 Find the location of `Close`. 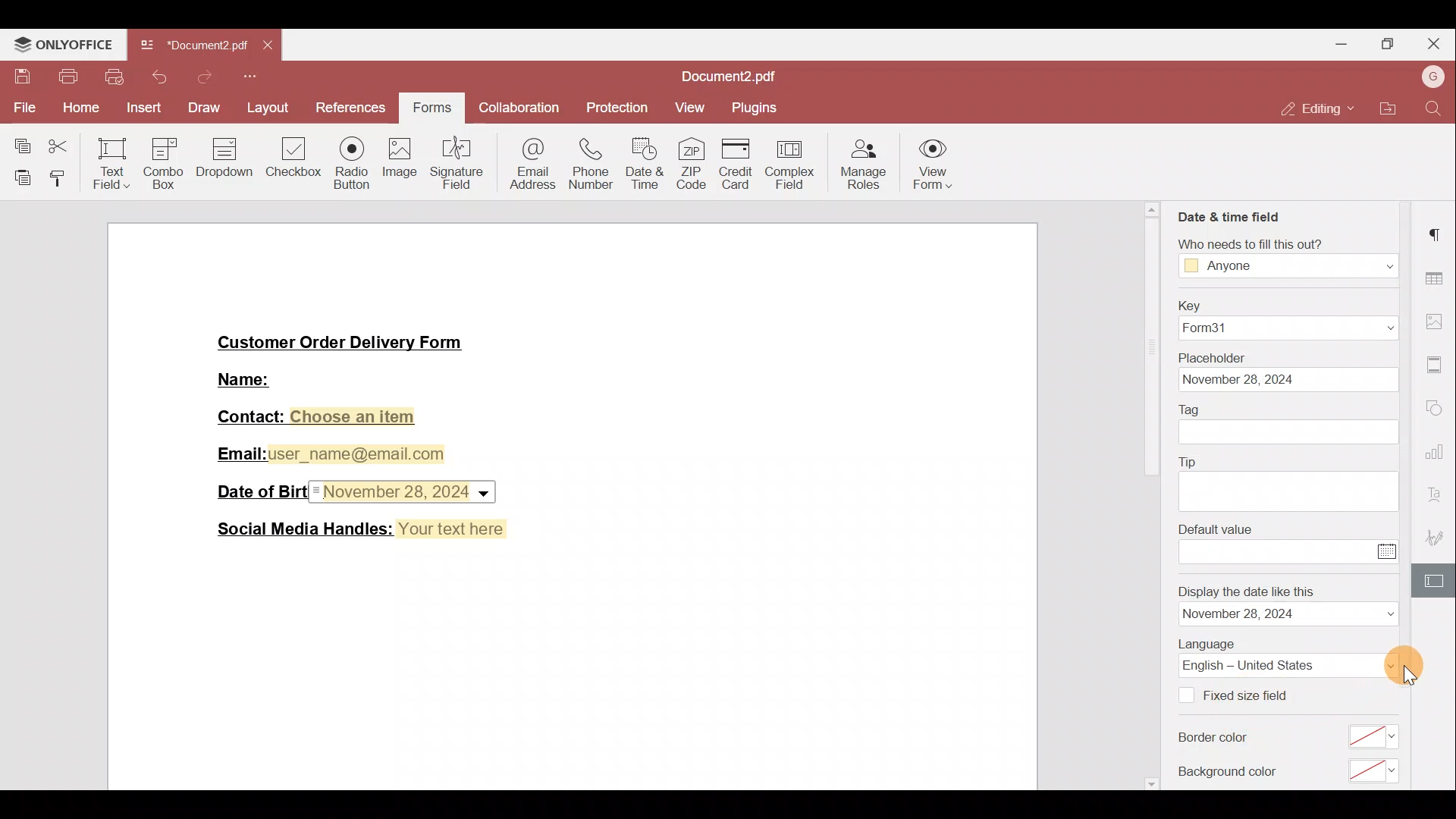

Close is located at coordinates (1434, 44).